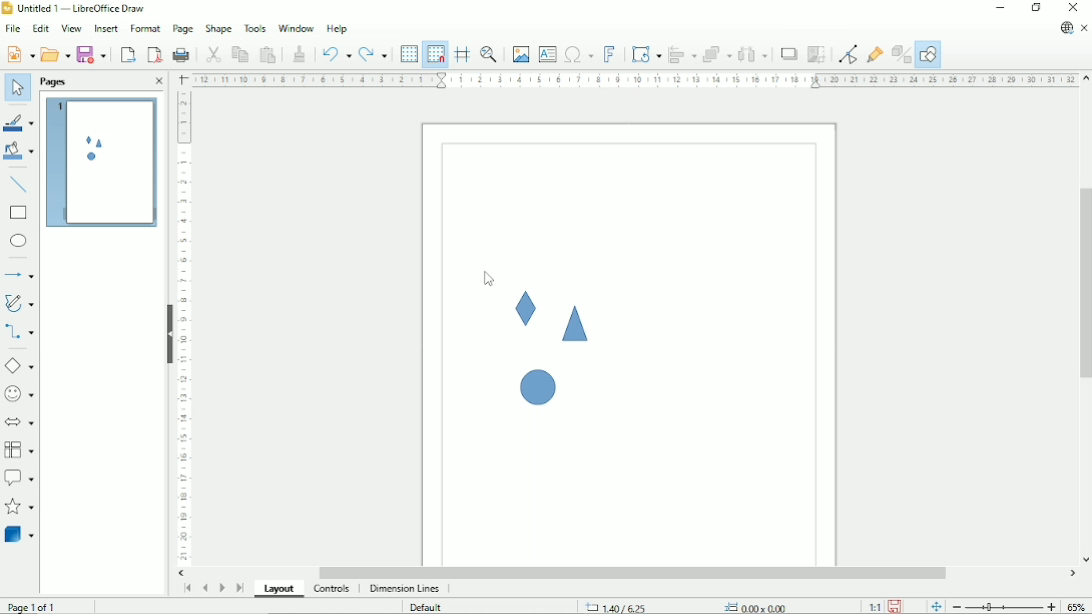 Image resolution: width=1092 pixels, height=614 pixels. I want to click on Zoom & pan, so click(488, 54).